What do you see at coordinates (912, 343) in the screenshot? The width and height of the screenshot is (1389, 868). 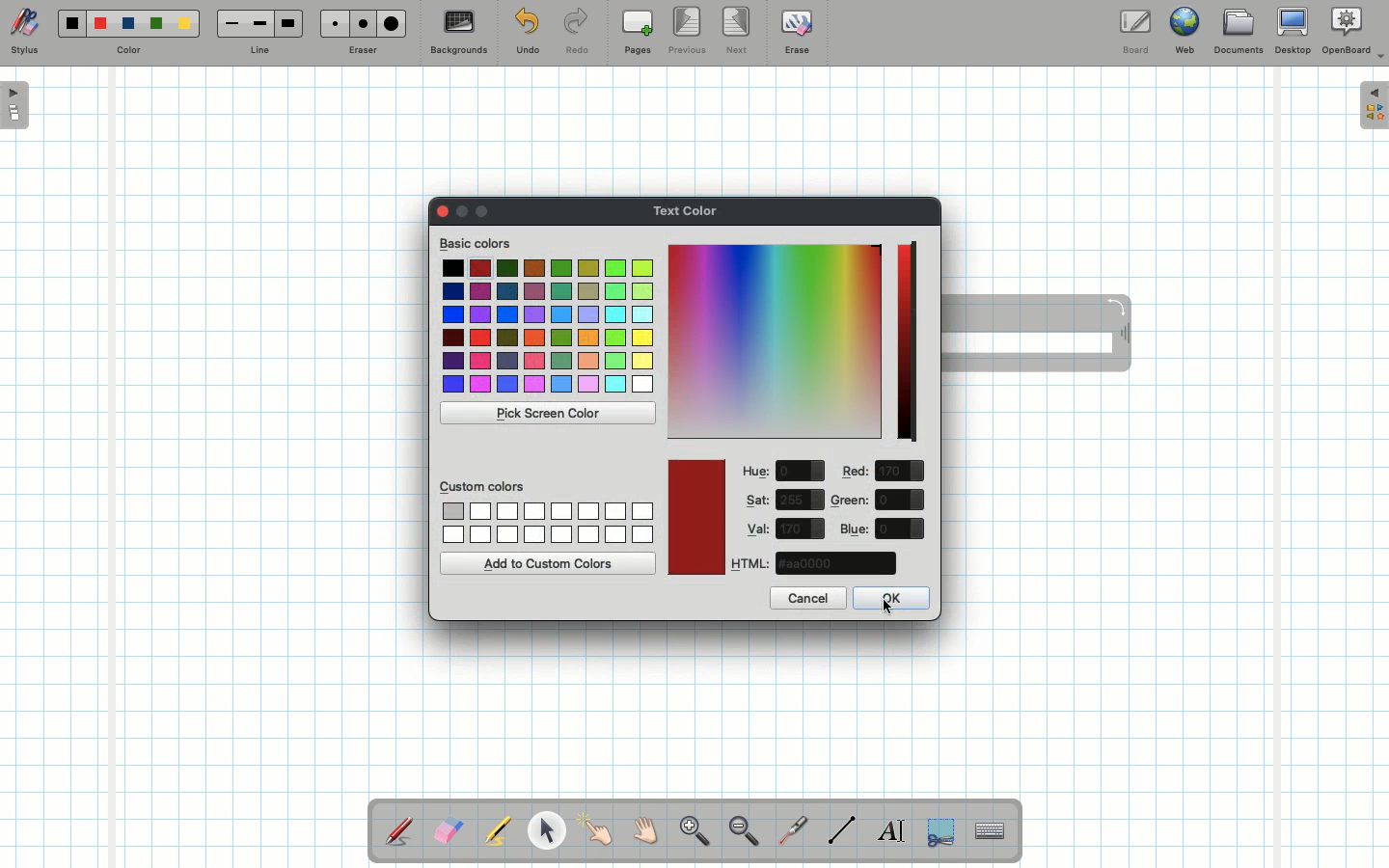 I see `Darkness` at bounding box center [912, 343].